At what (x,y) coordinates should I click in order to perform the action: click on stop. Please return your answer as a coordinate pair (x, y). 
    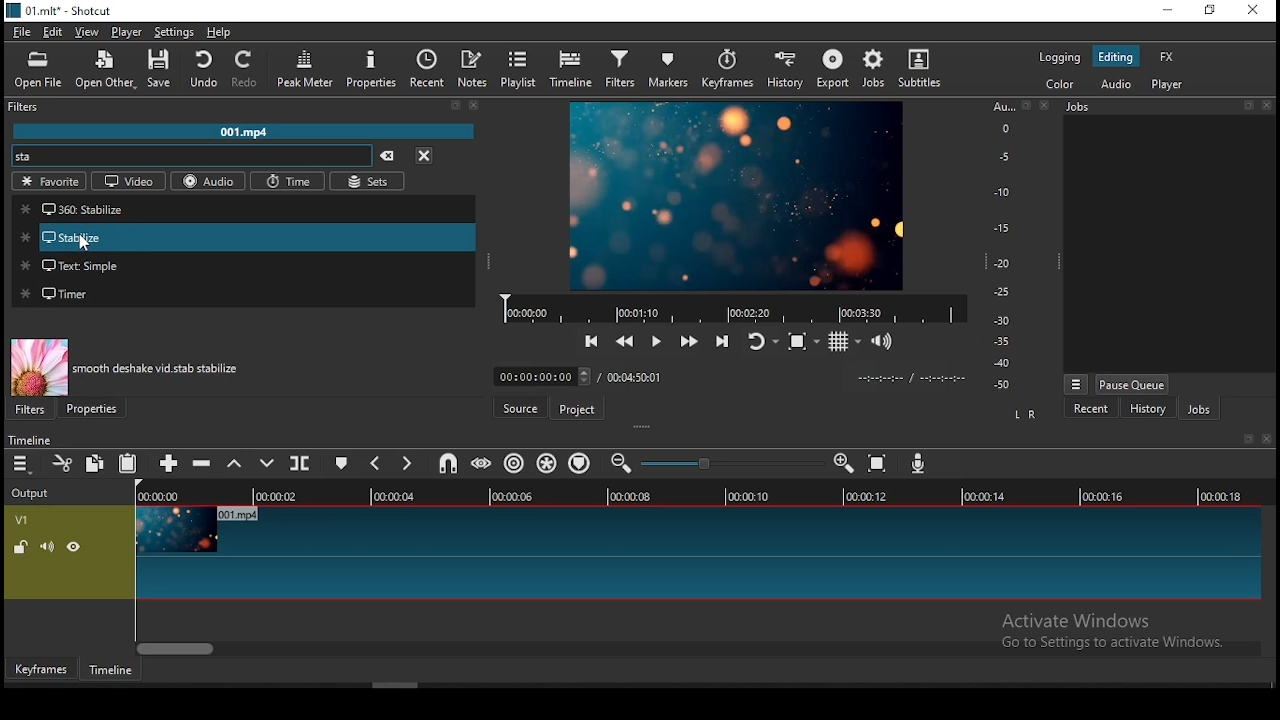
    Looking at the image, I should click on (803, 344).